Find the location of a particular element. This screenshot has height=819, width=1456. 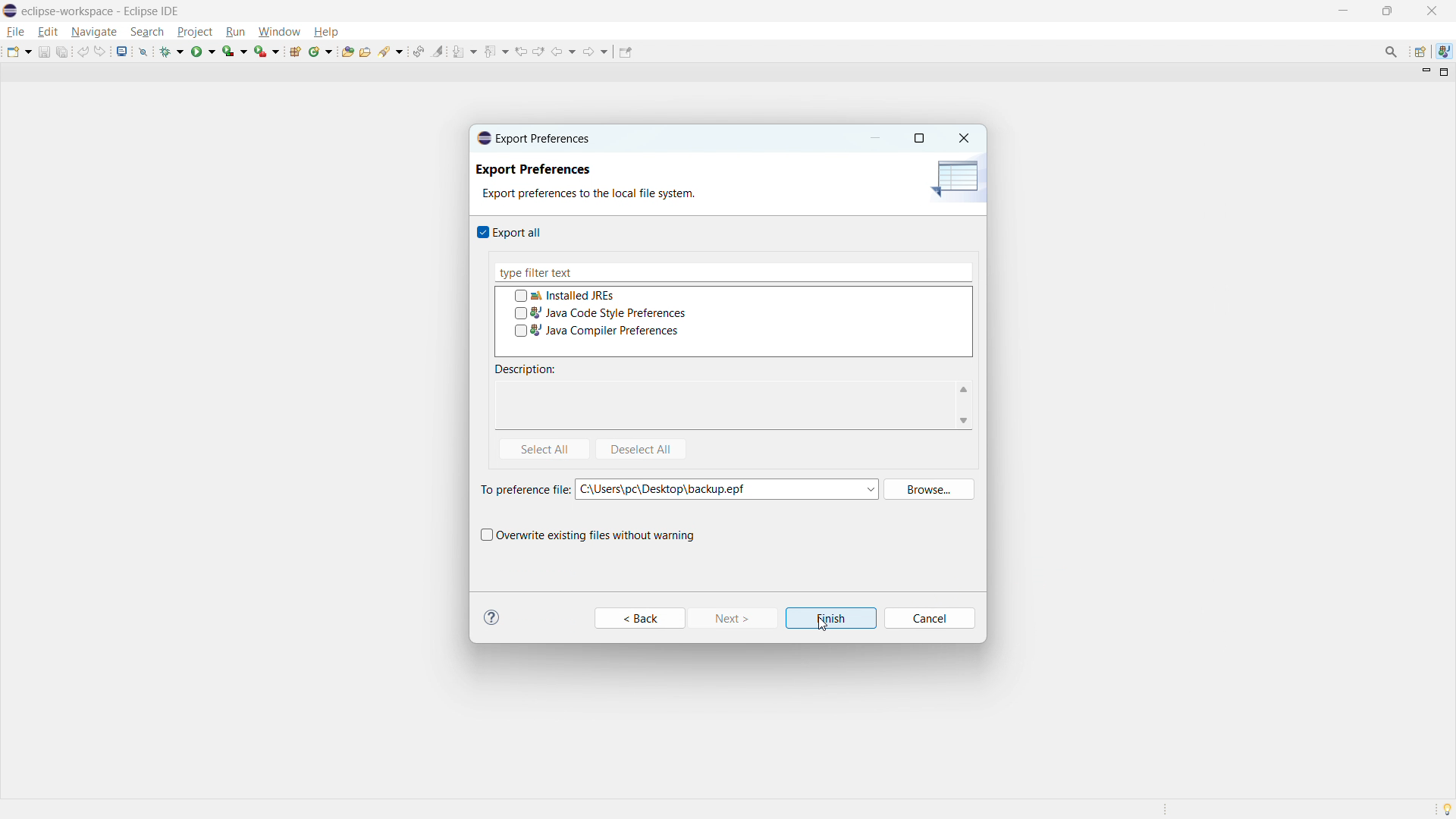

Cancel is located at coordinates (931, 618).